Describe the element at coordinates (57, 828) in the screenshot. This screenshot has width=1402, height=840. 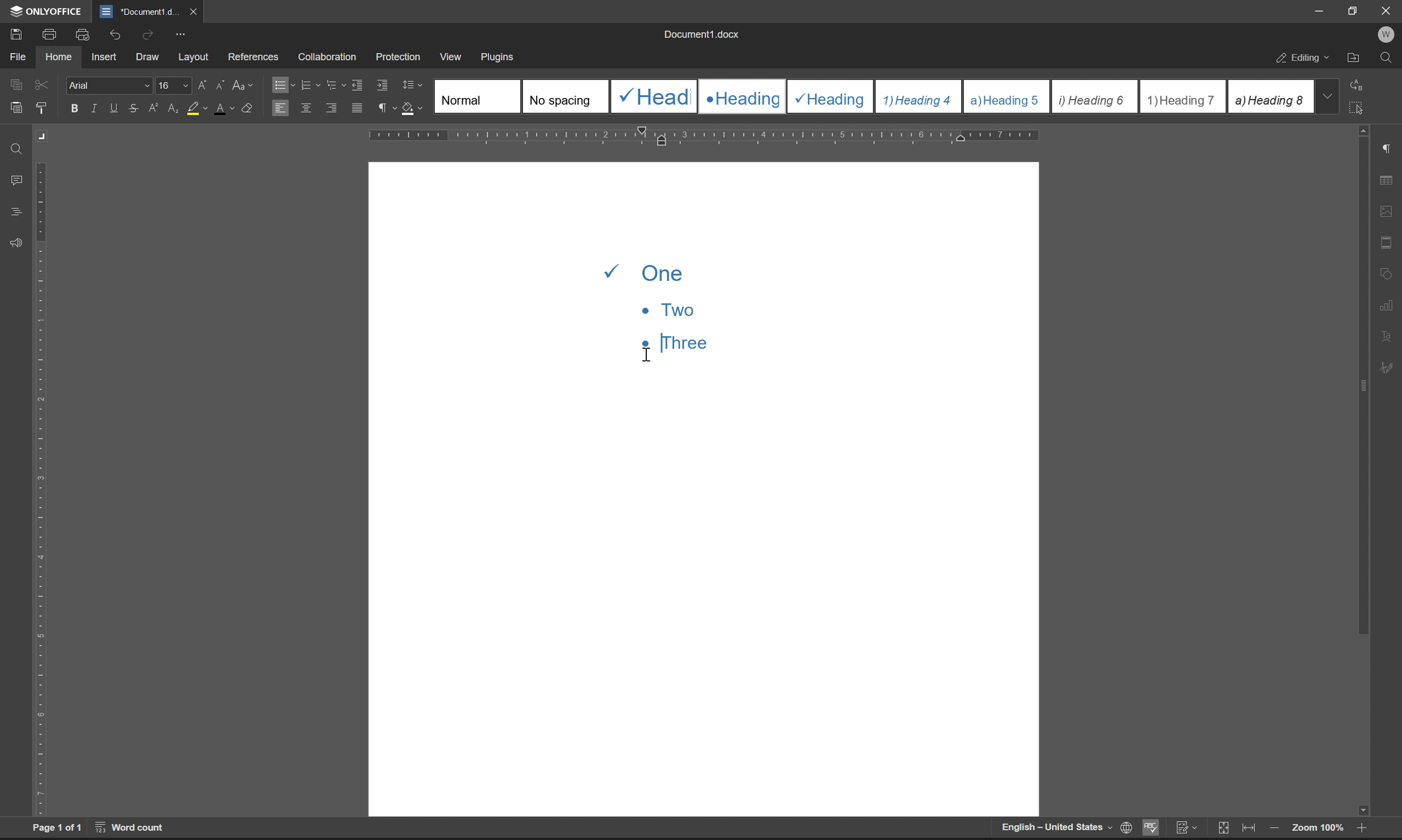
I see `page 1 of 1` at that location.